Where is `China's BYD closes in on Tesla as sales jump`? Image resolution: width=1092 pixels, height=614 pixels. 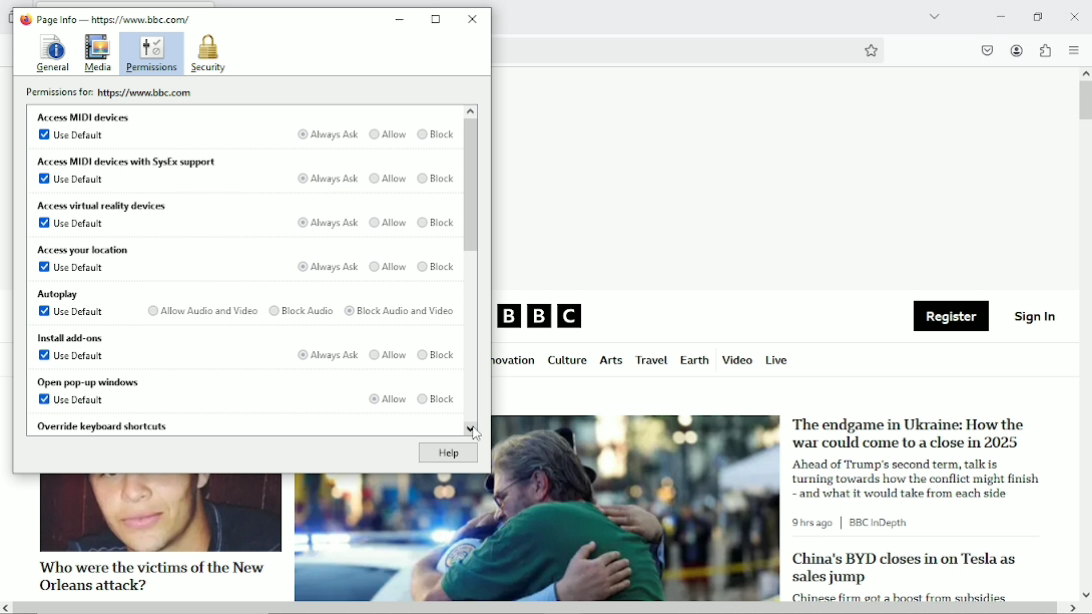
China's BYD closes in on Tesla as sales jump is located at coordinates (904, 568).